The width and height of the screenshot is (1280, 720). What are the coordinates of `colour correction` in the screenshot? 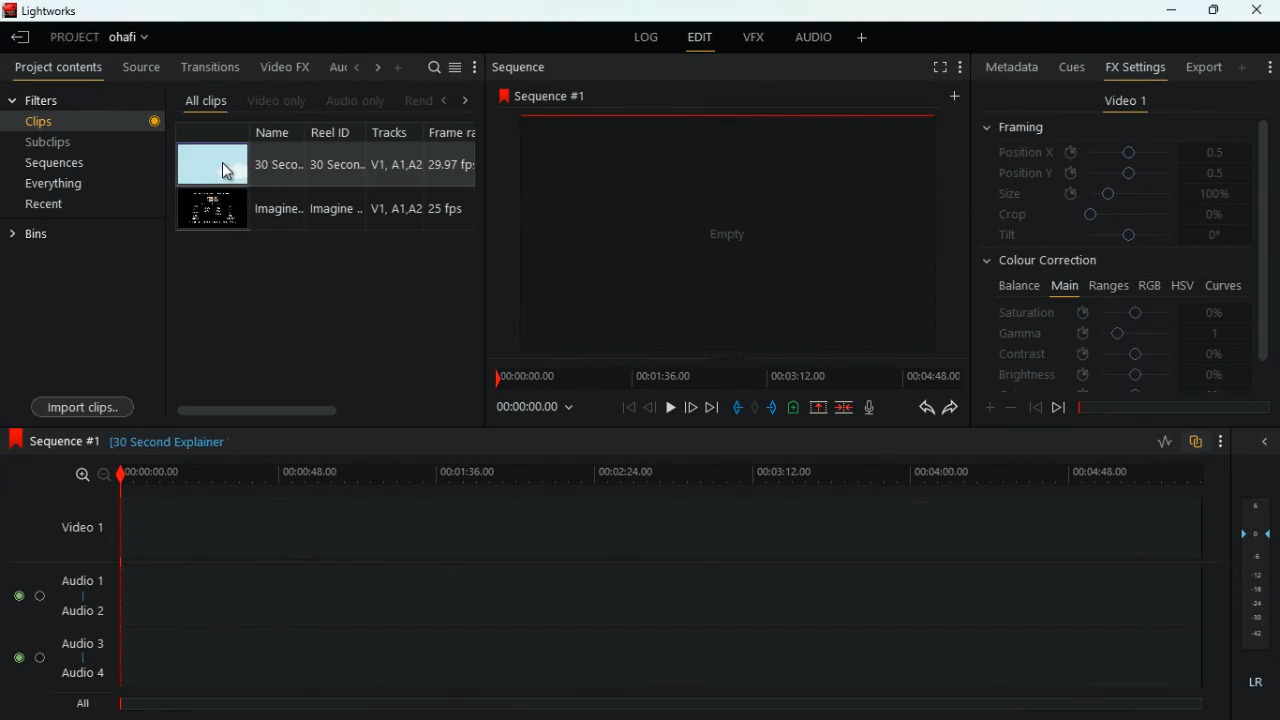 It's located at (1049, 262).